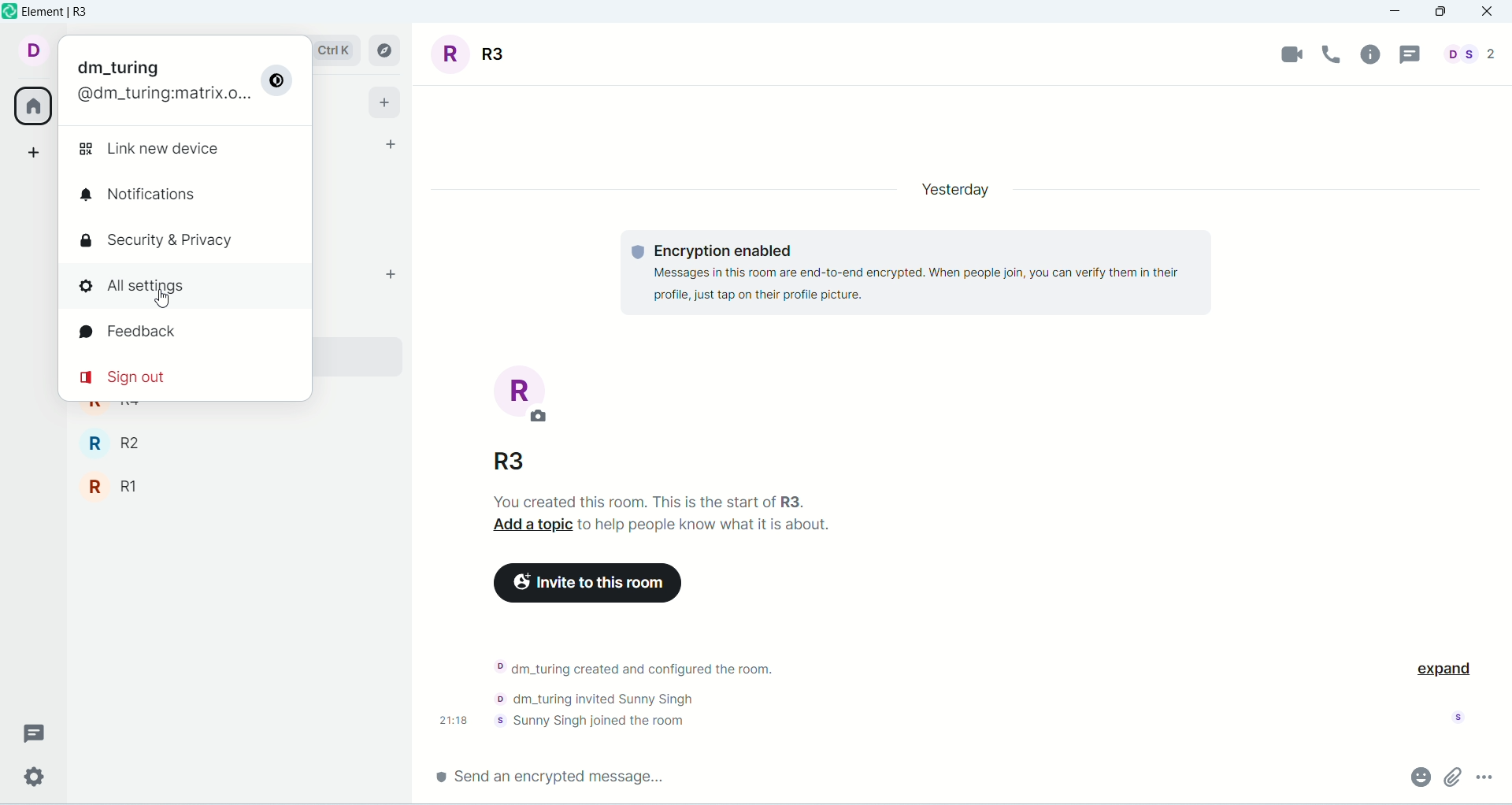  I want to click on close, so click(1489, 13).